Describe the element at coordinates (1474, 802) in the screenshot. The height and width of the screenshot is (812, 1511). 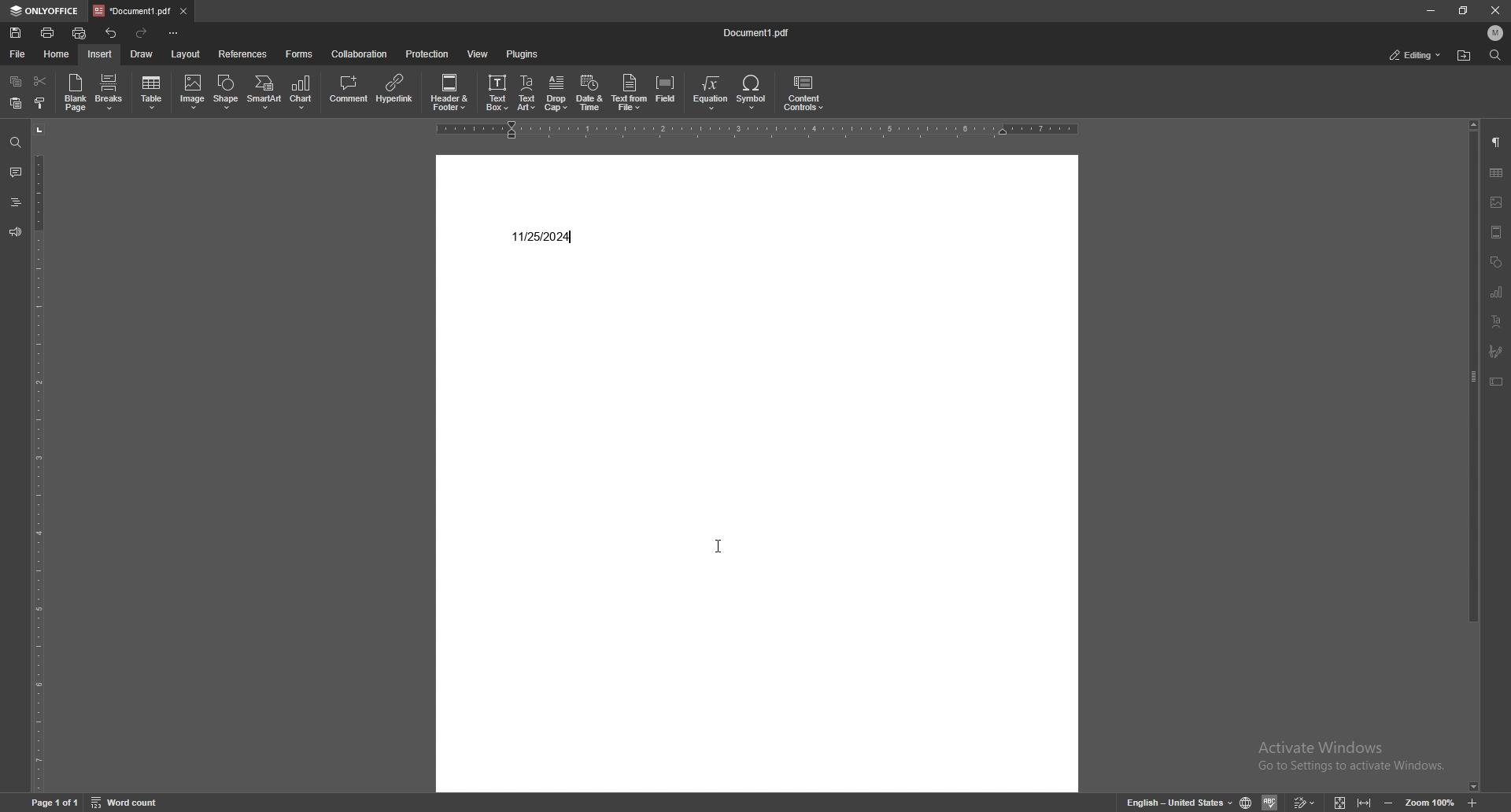
I see `zoom in` at that location.